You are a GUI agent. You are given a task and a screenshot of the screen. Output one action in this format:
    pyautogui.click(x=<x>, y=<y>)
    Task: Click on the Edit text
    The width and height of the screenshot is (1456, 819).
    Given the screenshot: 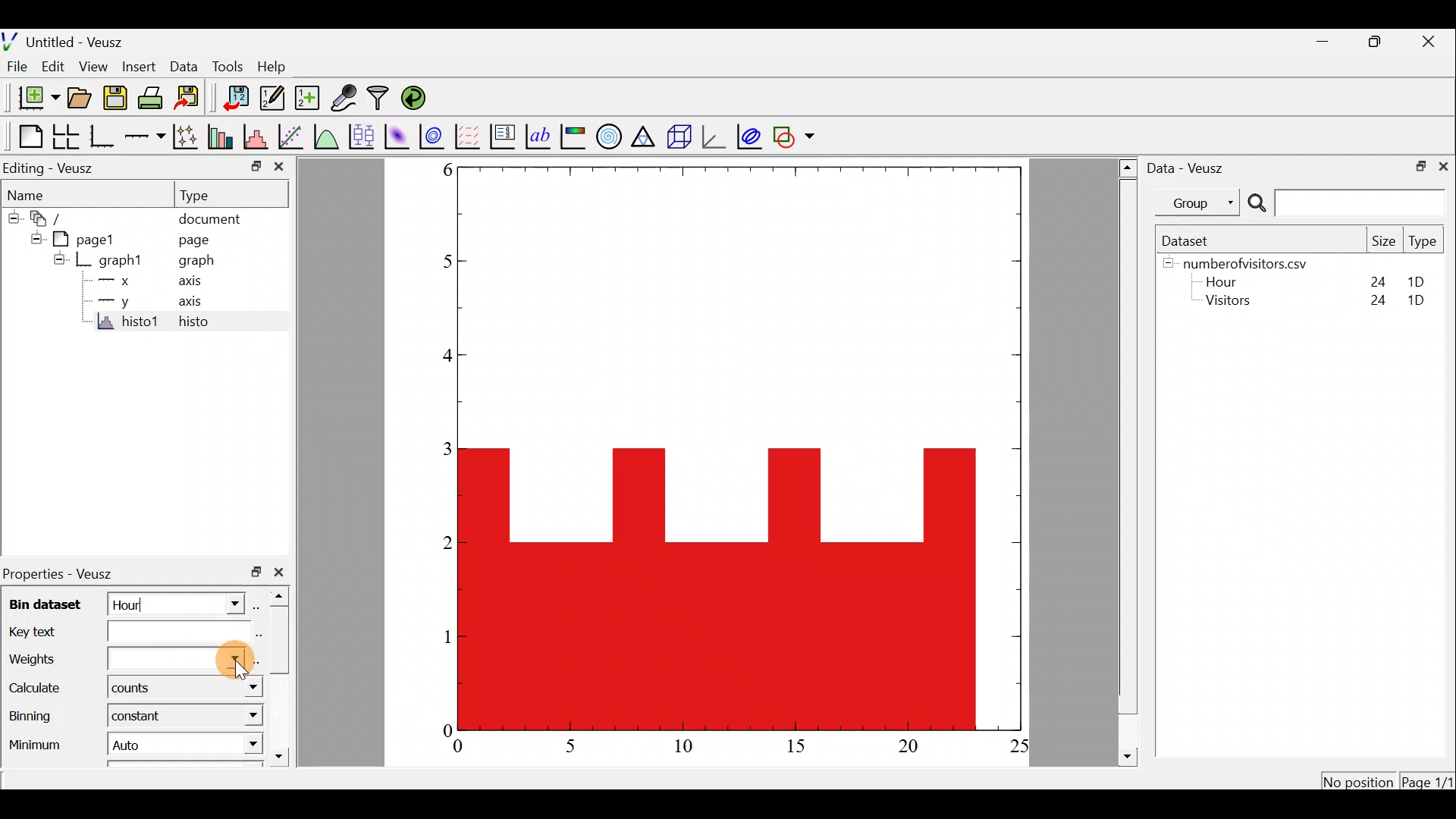 What is the action you would take?
    pyautogui.click(x=258, y=635)
    